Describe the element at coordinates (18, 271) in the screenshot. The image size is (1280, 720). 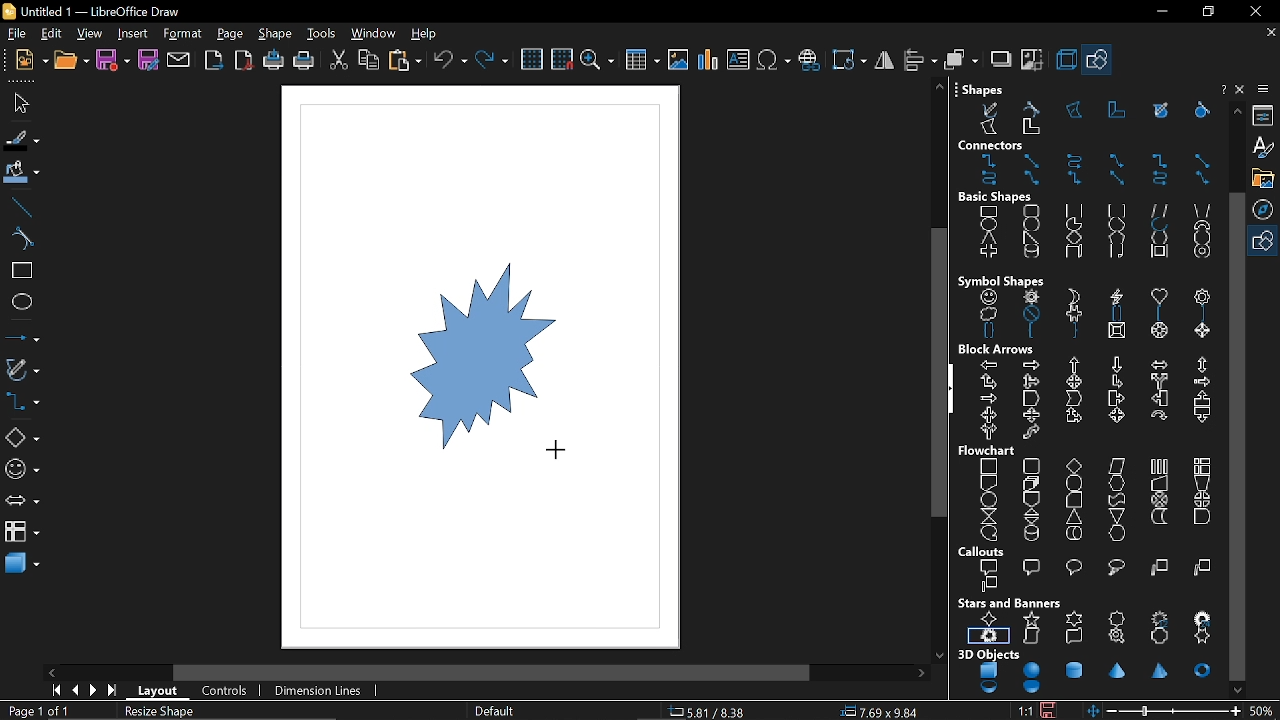
I see `rectangle` at that location.